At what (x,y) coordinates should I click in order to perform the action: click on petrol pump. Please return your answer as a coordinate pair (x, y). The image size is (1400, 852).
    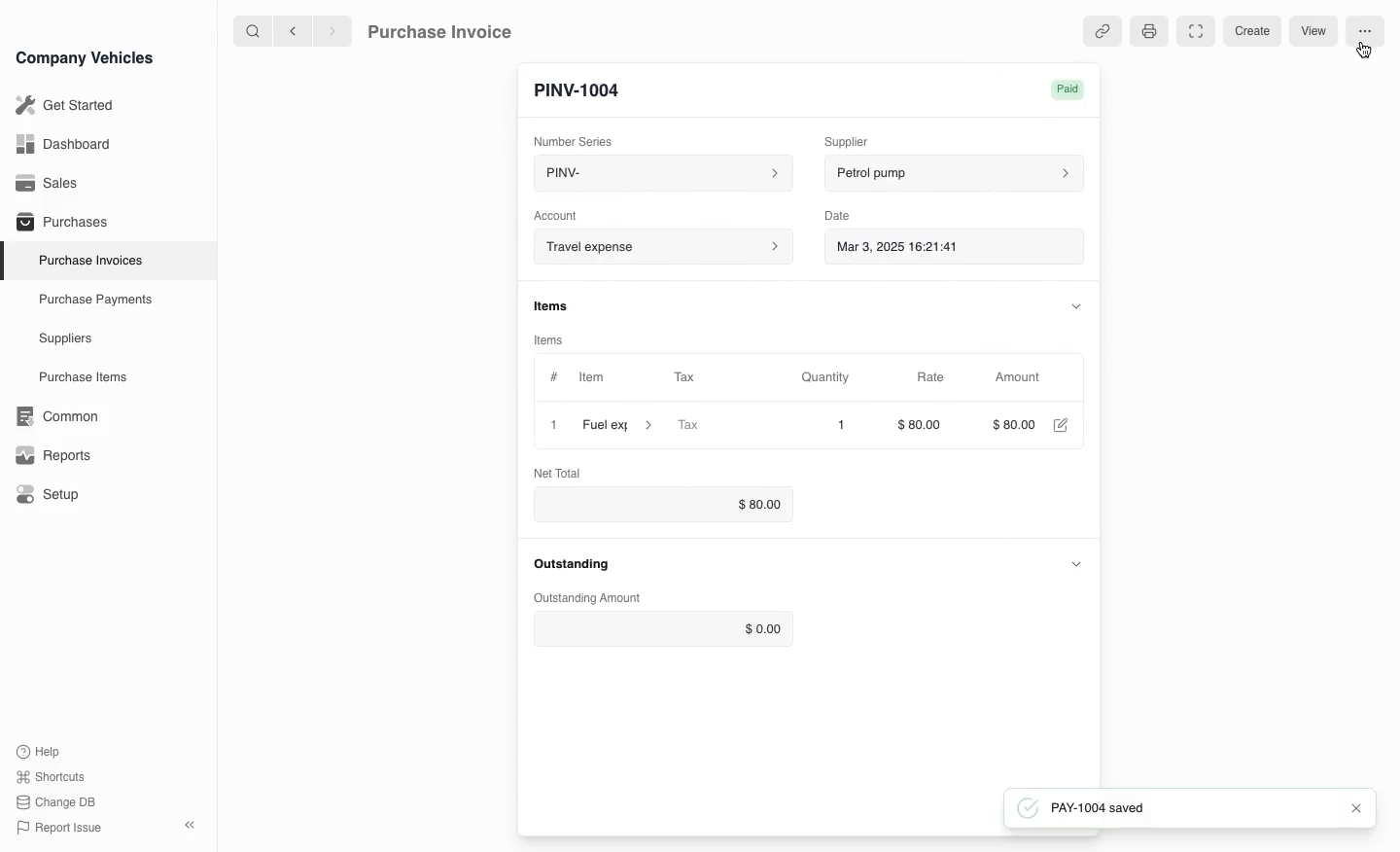
    Looking at the image, I should click on (949, 170).